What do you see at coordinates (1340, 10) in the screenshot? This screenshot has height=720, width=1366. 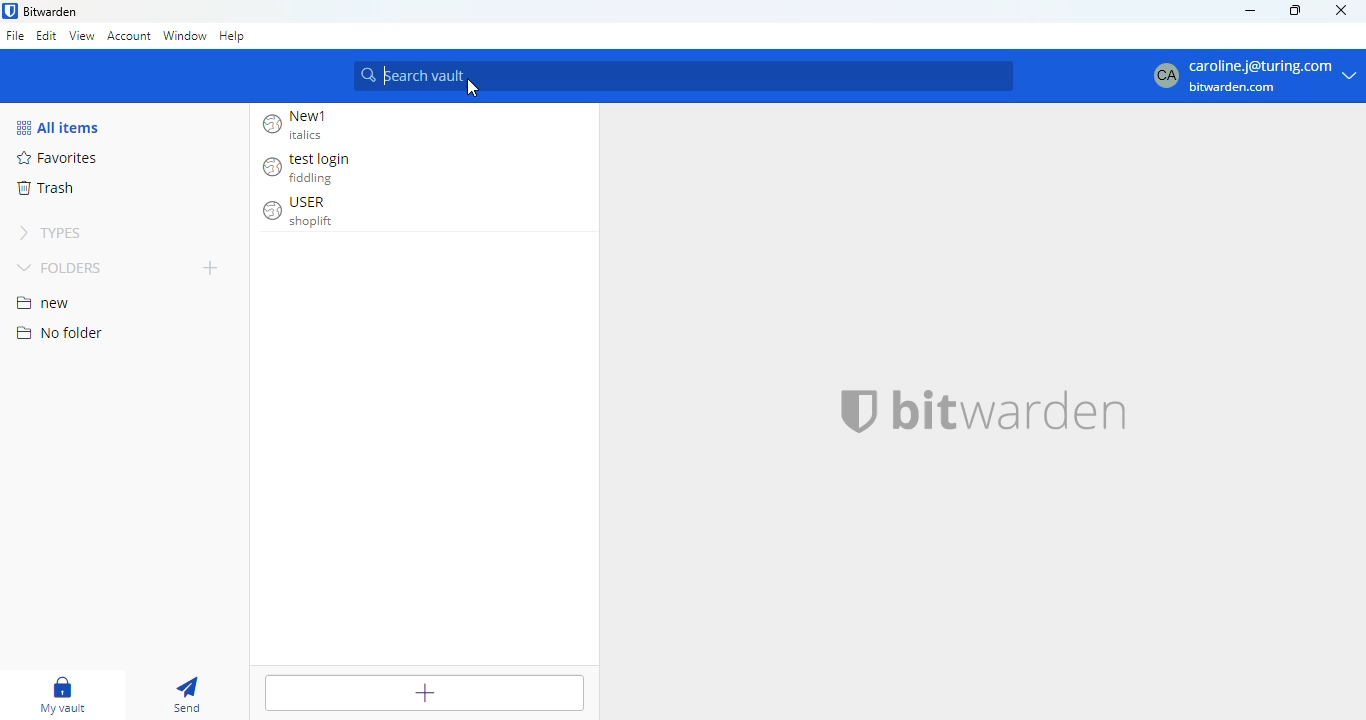 I see `close` at bounding box center [1340, 10].